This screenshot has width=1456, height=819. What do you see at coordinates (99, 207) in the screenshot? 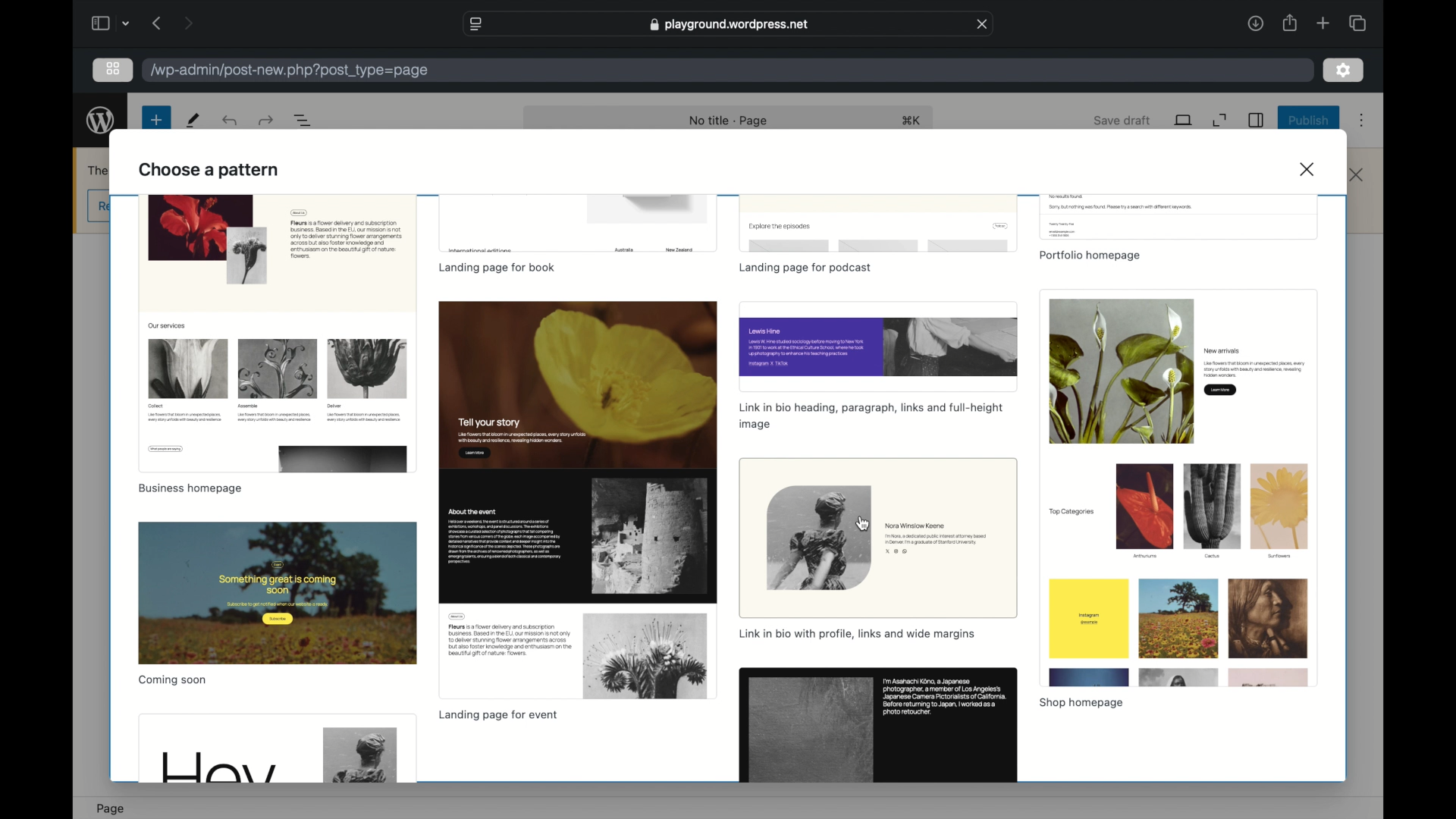
I see `obscure button` at bounding box center [99, 207].